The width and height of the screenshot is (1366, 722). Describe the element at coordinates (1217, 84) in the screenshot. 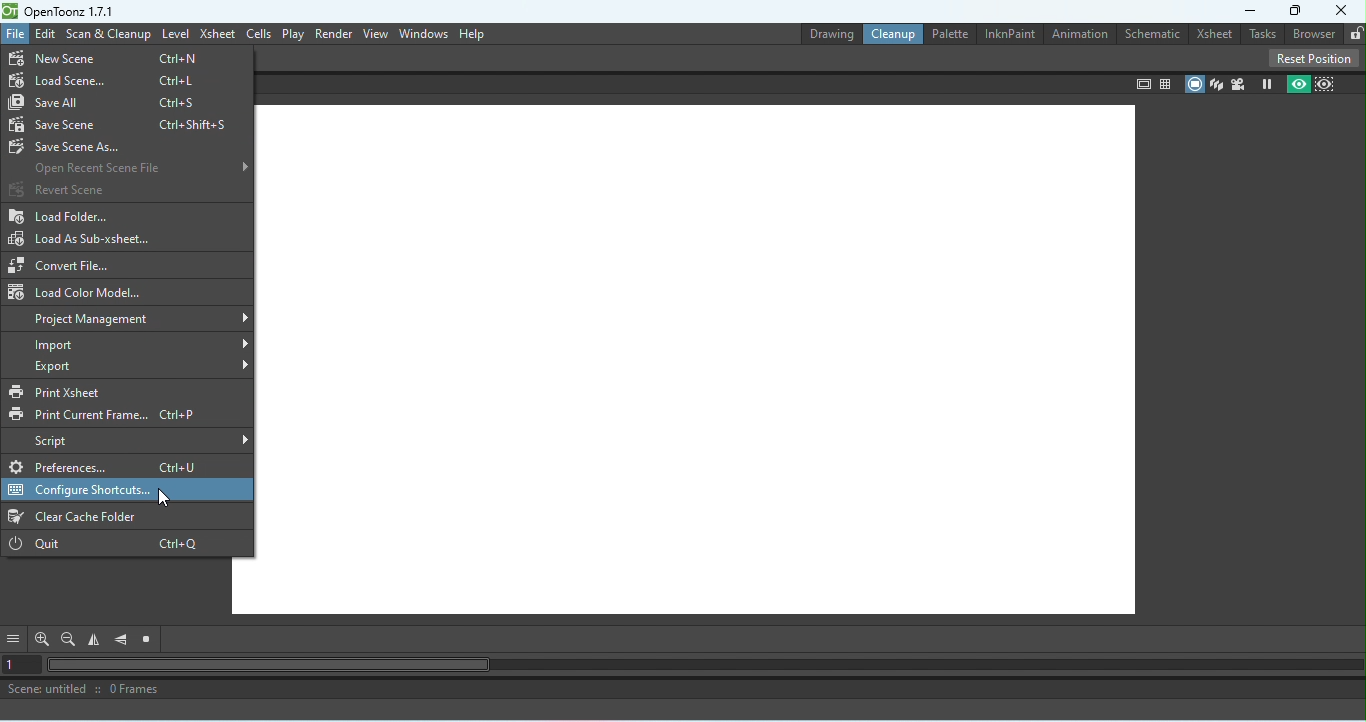

I see `3D view` at that location.